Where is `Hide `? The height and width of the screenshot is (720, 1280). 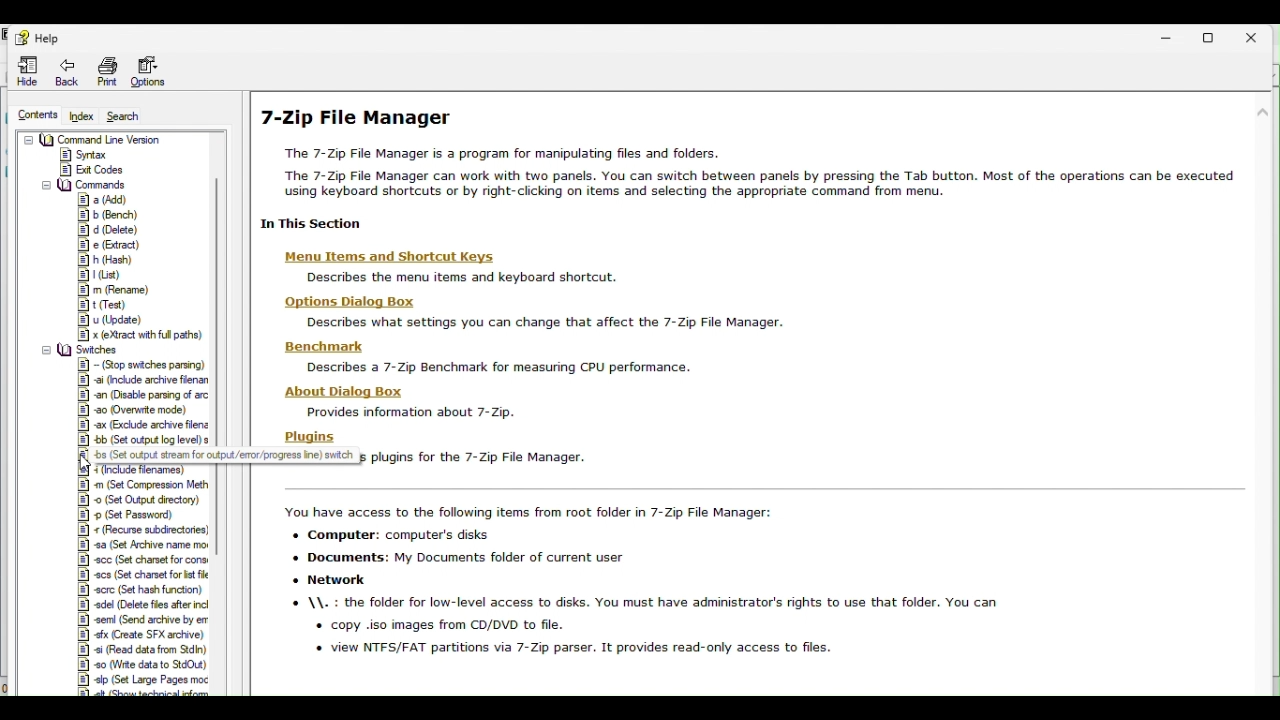
Hide  is located at coordinates (23, 72).